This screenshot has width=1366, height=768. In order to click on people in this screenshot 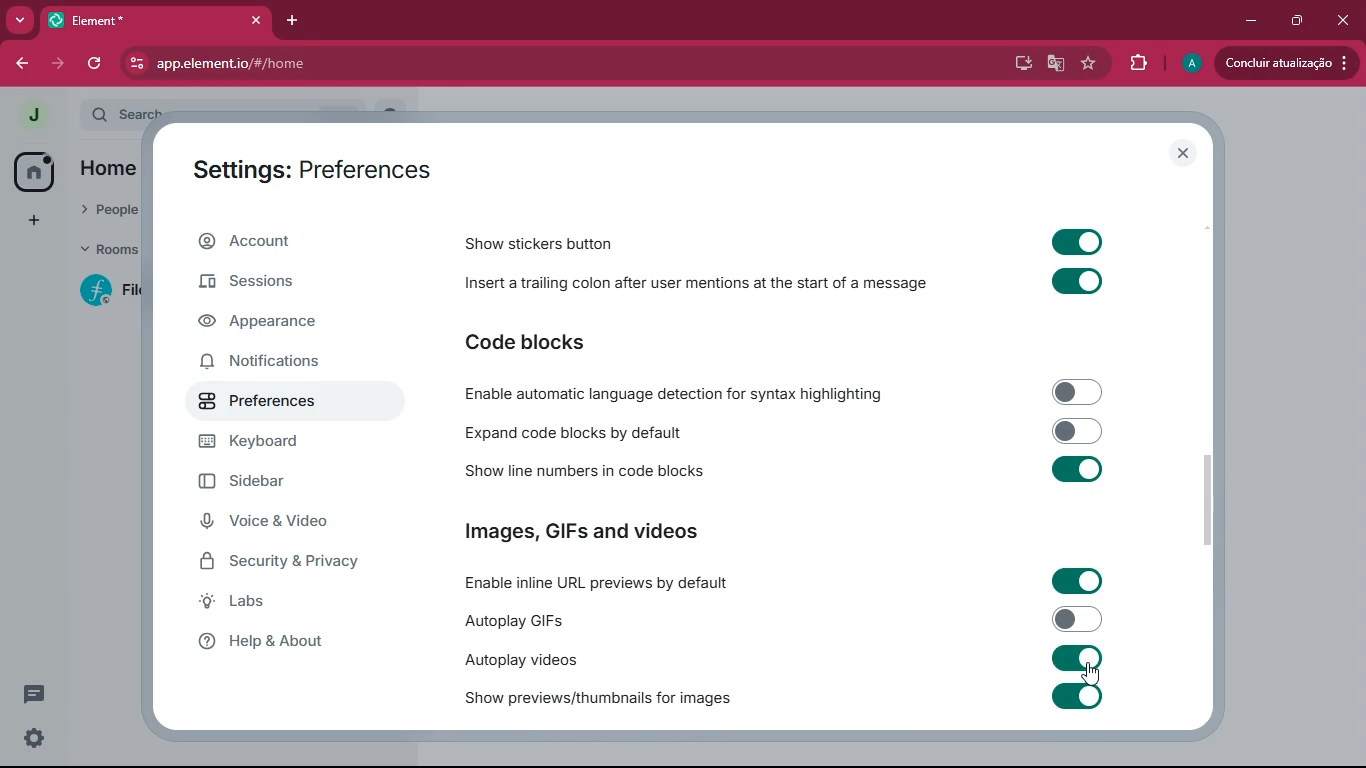, I will do `click(110, 211)`.